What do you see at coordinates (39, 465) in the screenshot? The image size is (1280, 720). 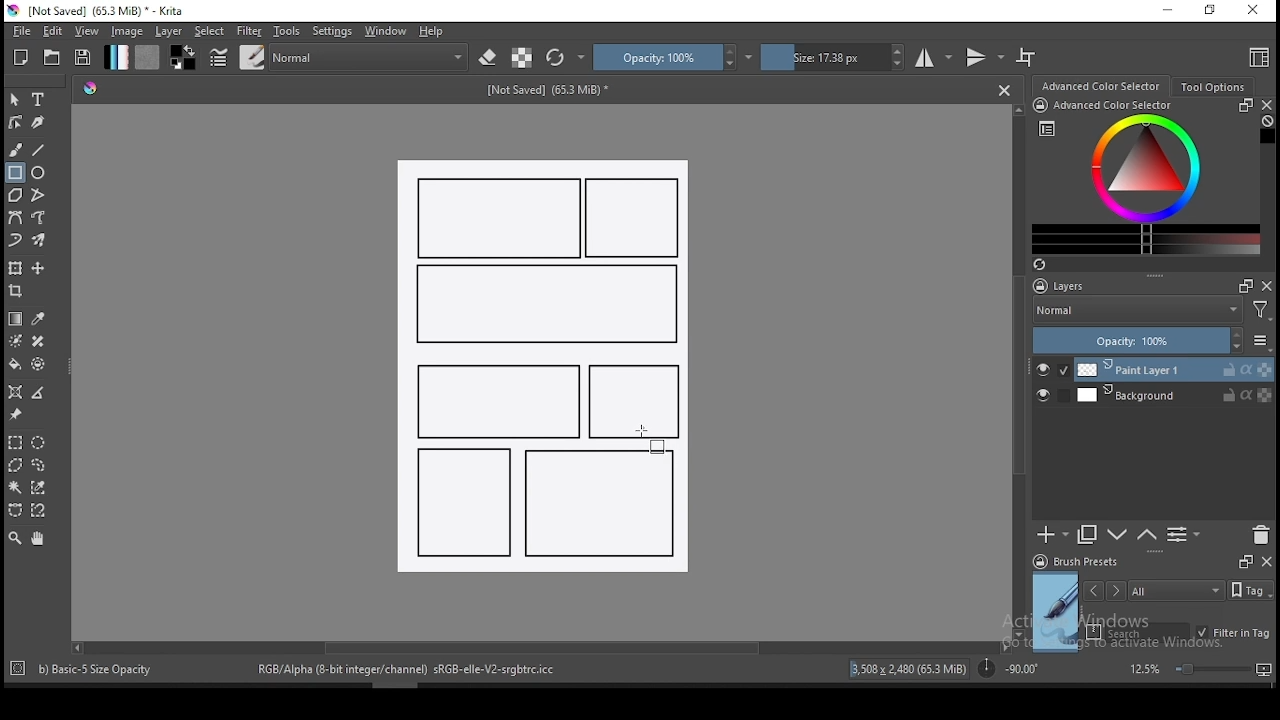 I see `freehand selection tool` at bounding box center [39, 465].